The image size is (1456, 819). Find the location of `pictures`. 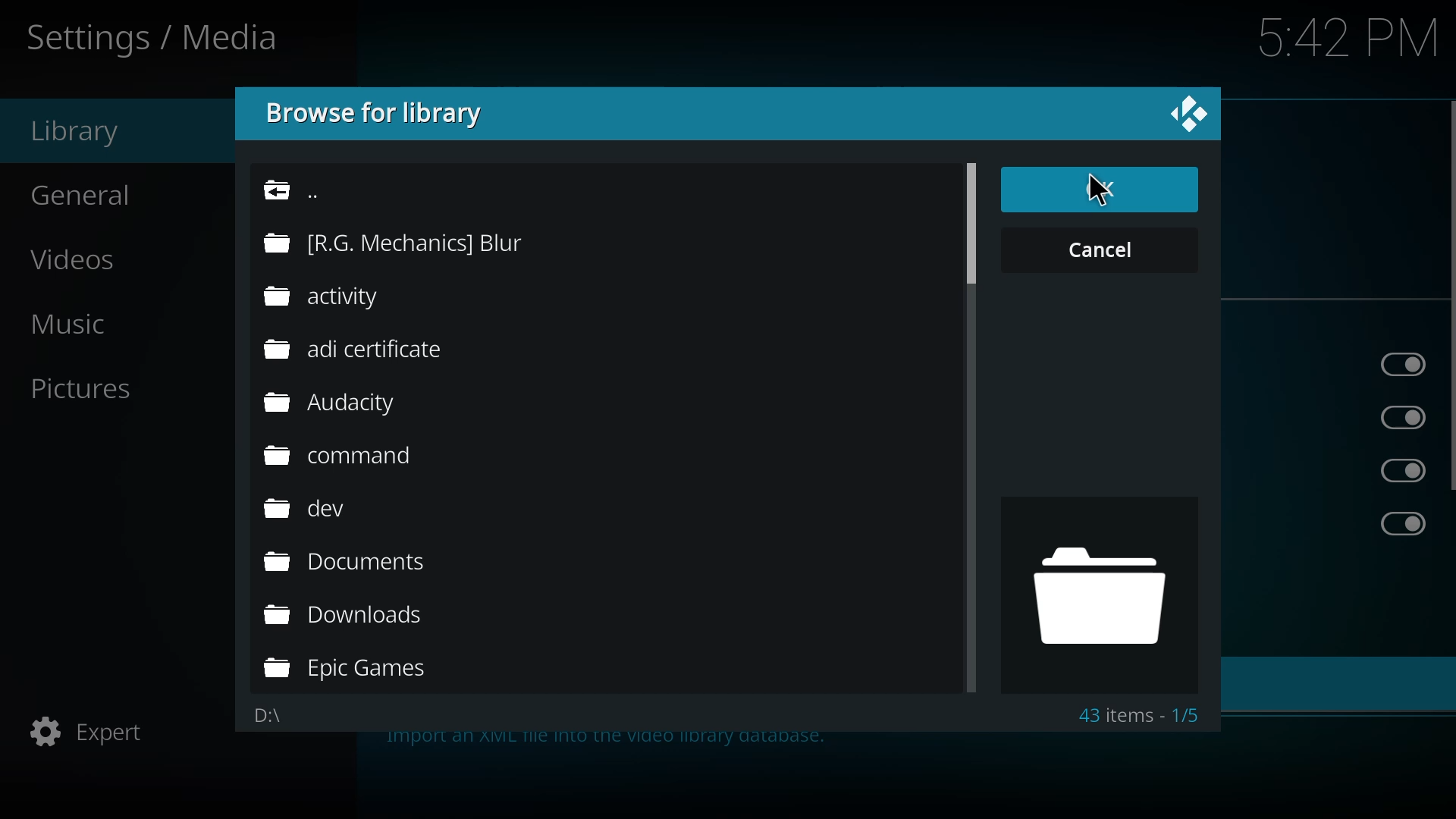

pictures is located at coordinates (97, 388).